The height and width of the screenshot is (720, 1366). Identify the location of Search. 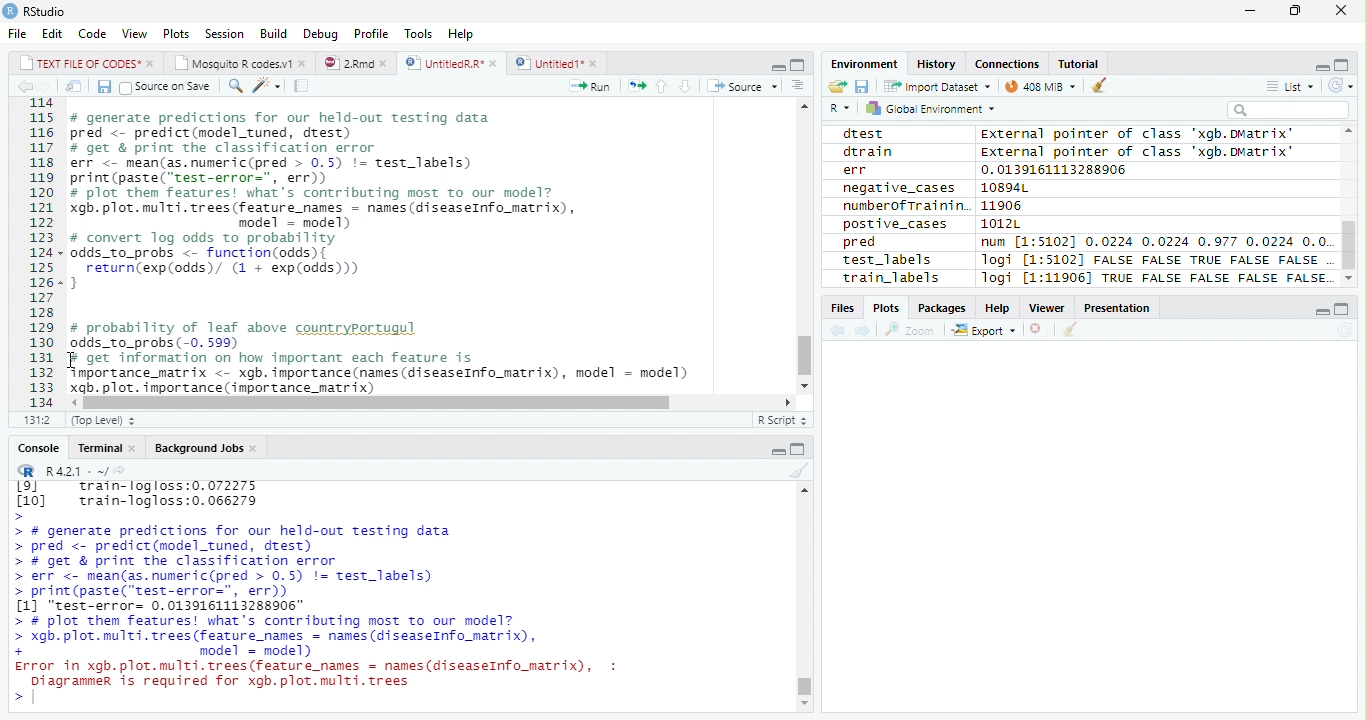
(1288, 110).